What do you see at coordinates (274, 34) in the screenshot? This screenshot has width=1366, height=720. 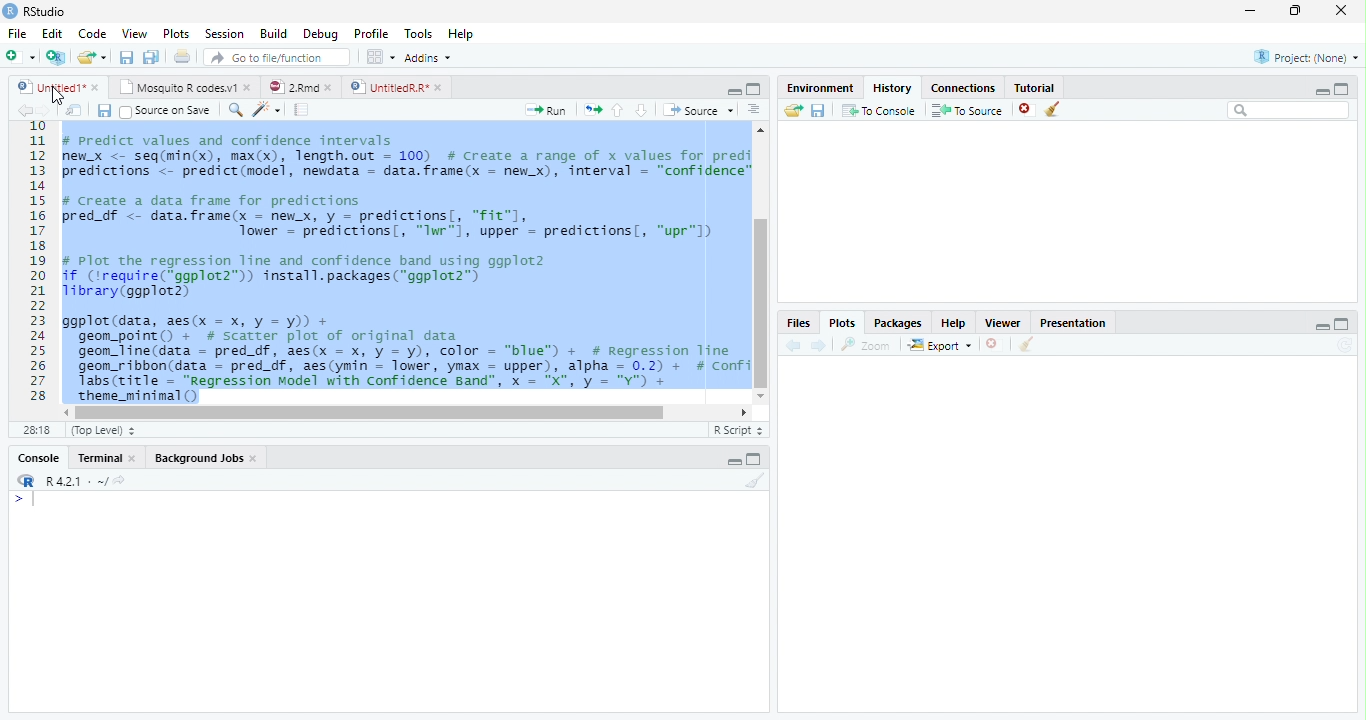 I see `Build` at bounding box center [274, 34].